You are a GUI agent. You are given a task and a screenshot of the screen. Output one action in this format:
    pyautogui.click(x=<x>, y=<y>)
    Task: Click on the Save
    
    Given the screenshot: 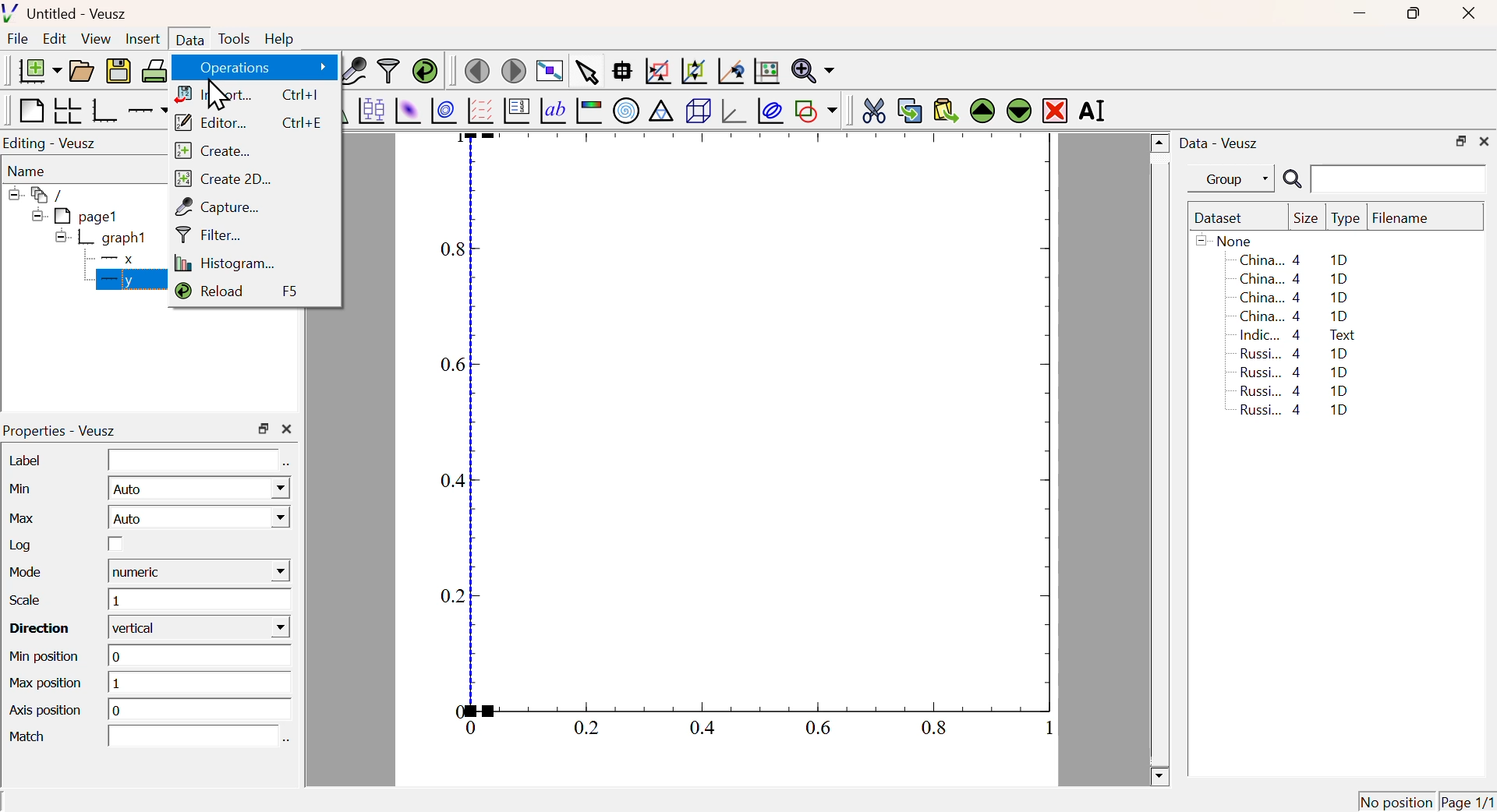 What is the action you would take?
    pyautogui.click(x=119, y=72)
    